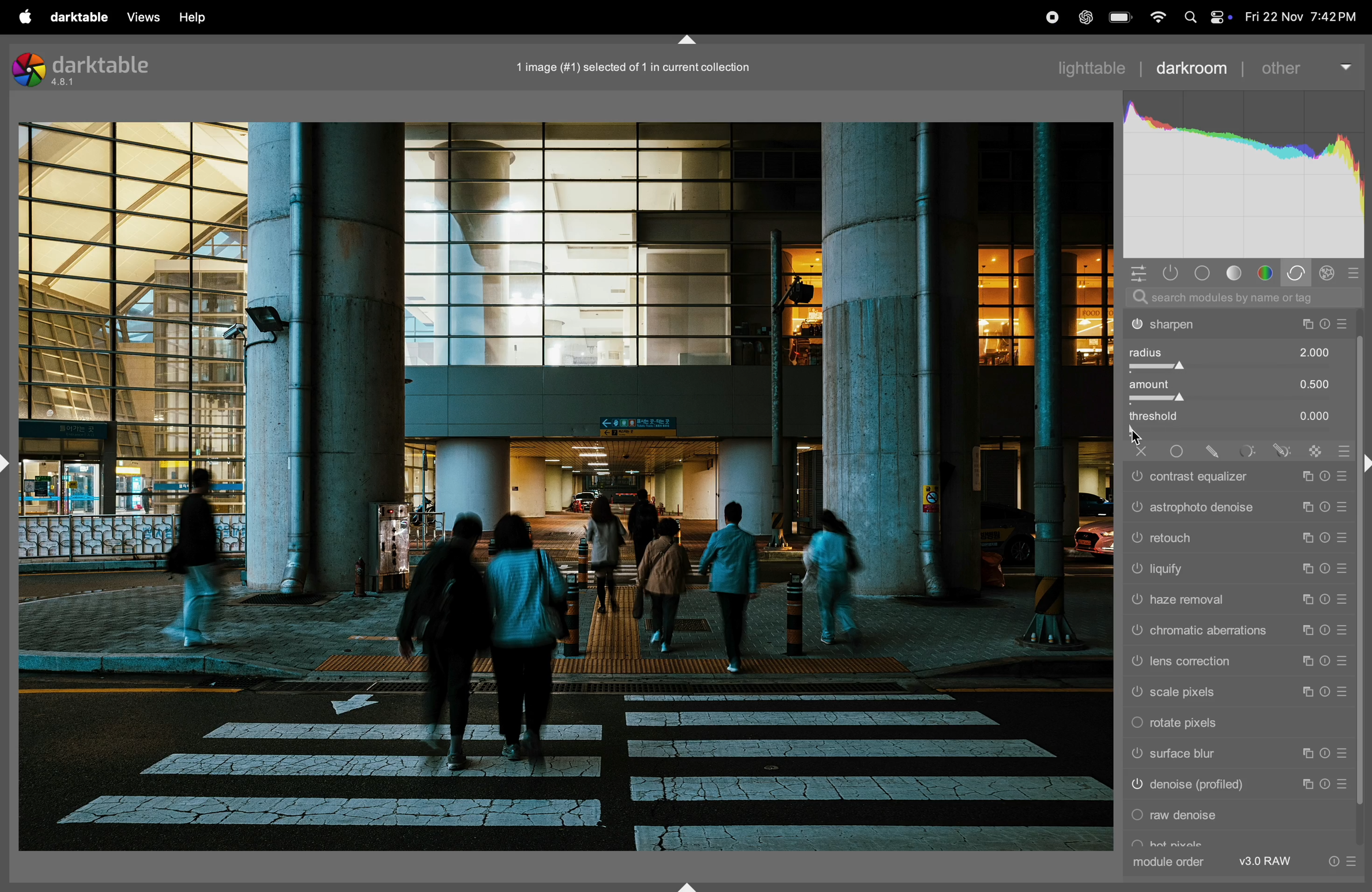 The height and width of the screenshot is (892, 1372). Describe the element at coordinates (1190, 18) in the screenshot. I see `spotlight search` at that location.